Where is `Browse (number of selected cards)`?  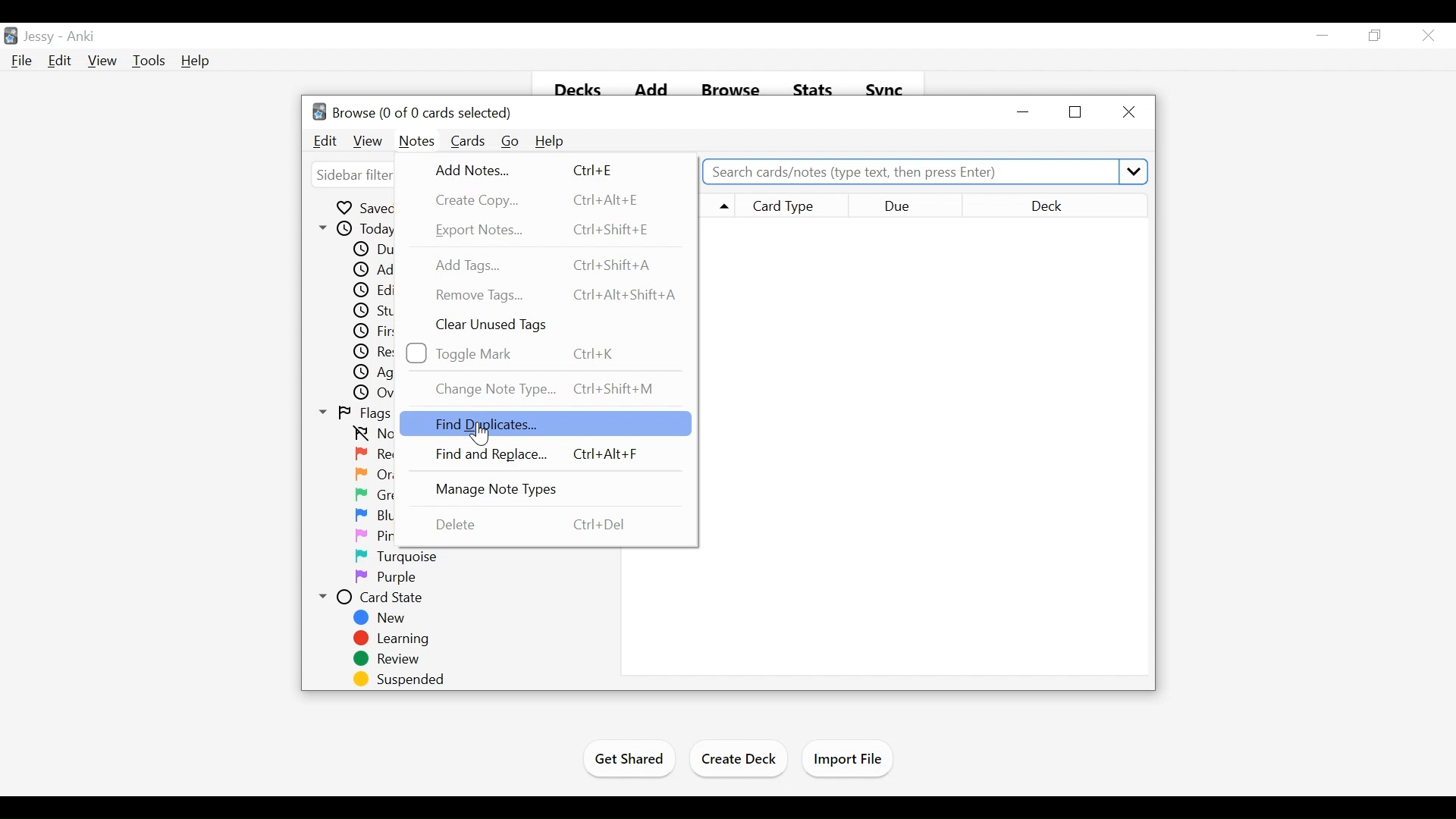 Browse (number of selected cards) is located at coordinates (413, 111).